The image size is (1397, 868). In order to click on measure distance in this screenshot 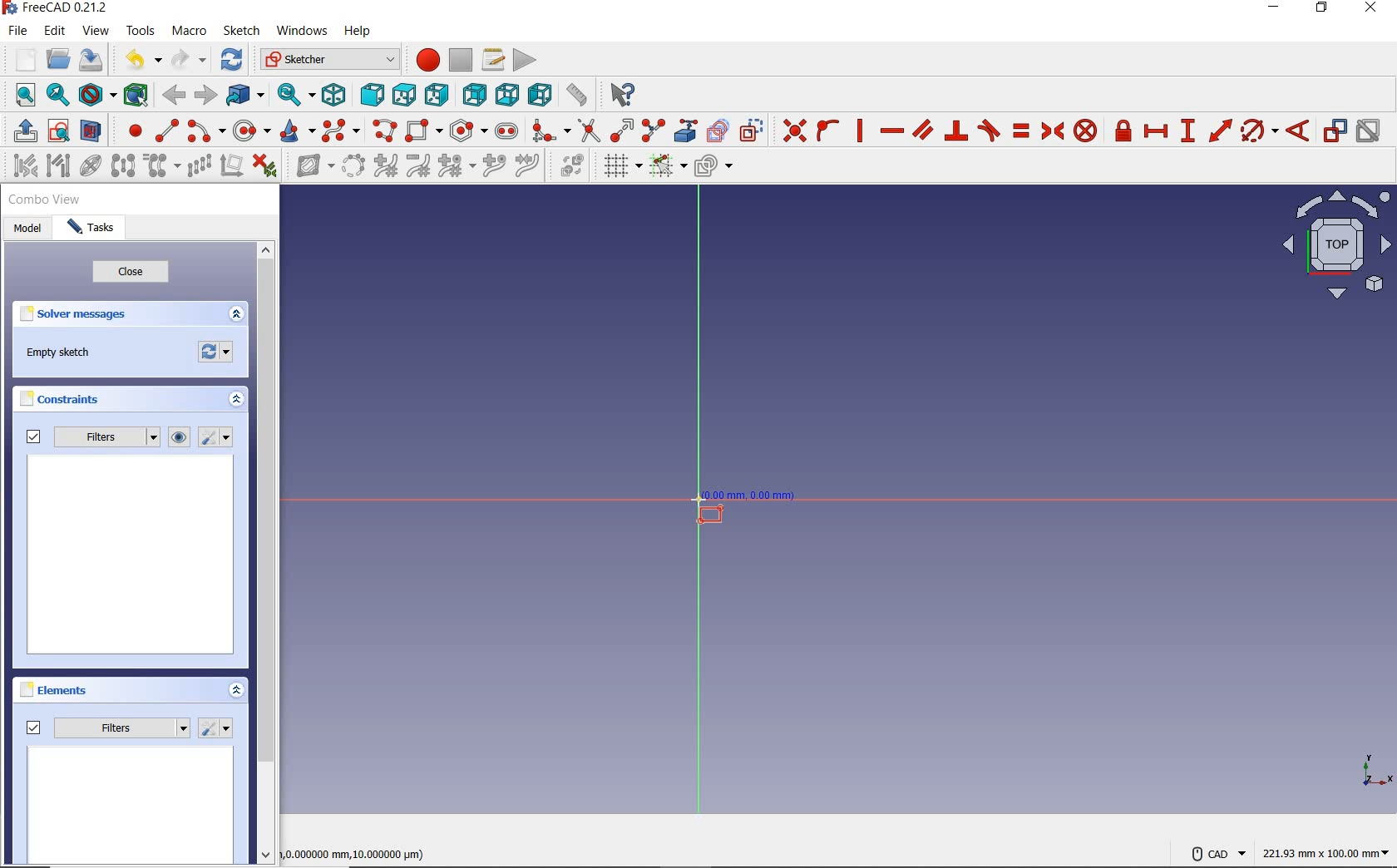, I will do `click(576, 96)`.